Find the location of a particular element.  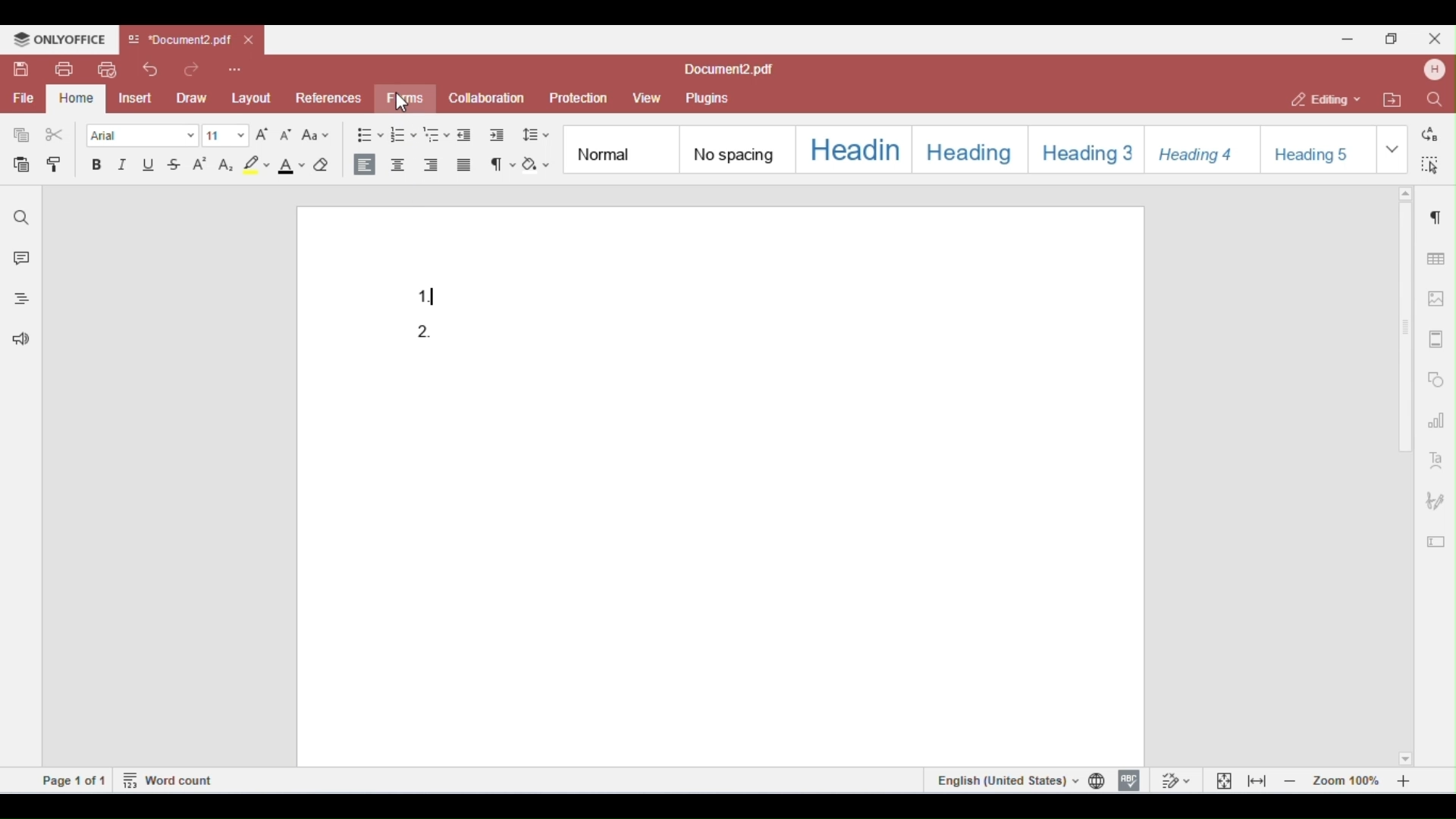

nonprinting characters is located at coordinates (504, 165).